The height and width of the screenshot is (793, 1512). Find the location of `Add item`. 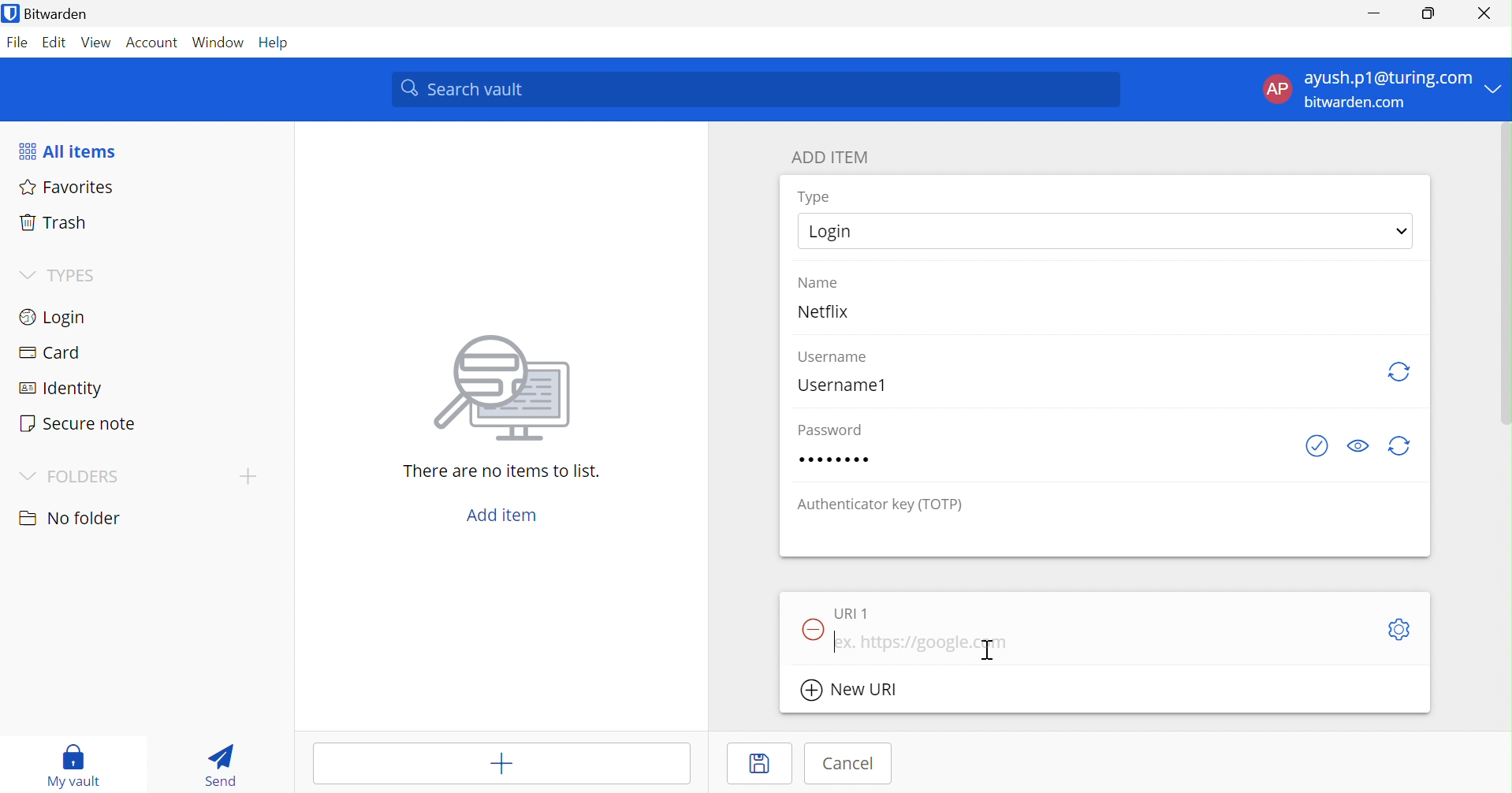

Add item is located at coordinates (503, 762).